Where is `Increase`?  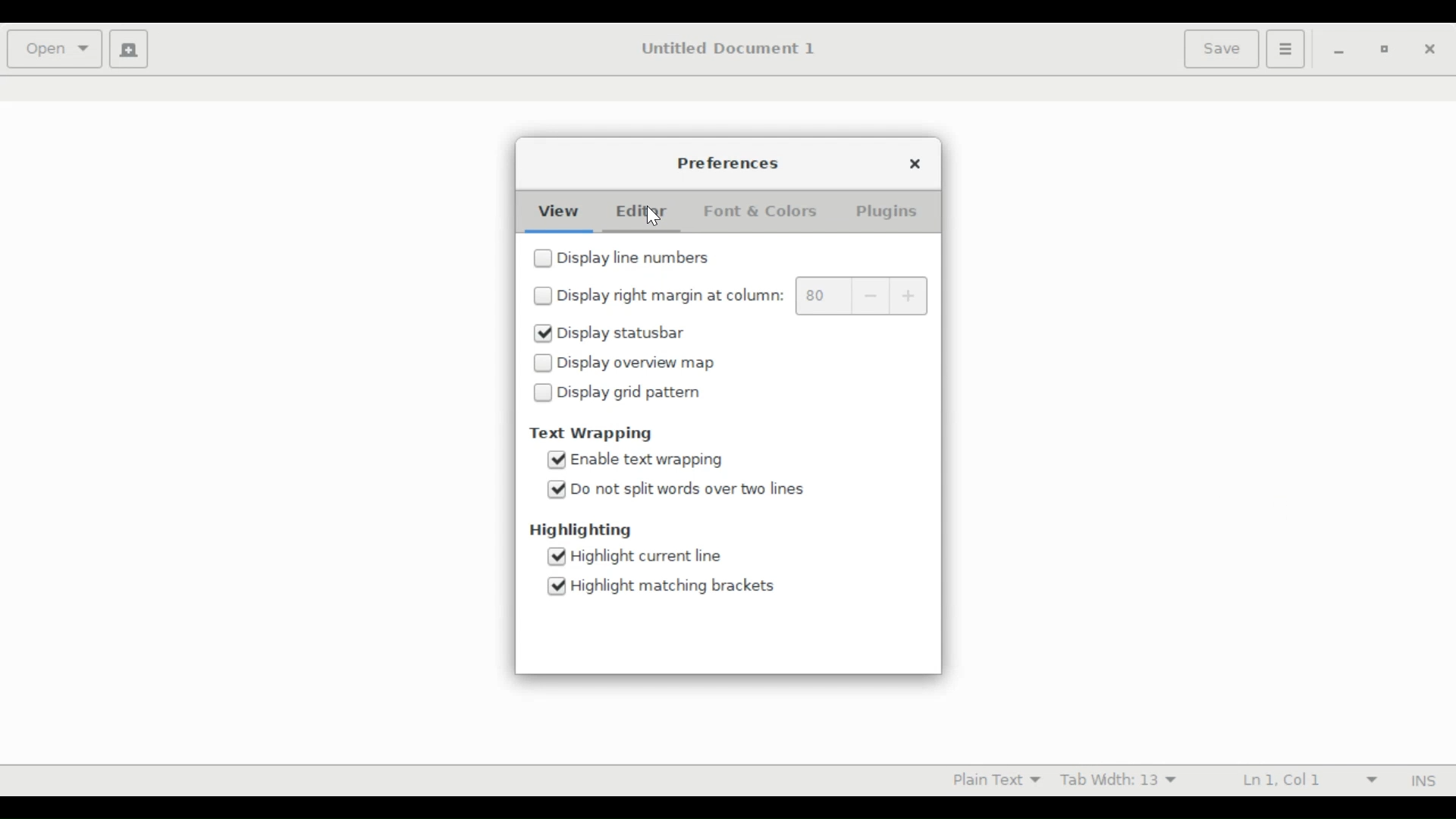 Increase is located at coordinates (908, 297).